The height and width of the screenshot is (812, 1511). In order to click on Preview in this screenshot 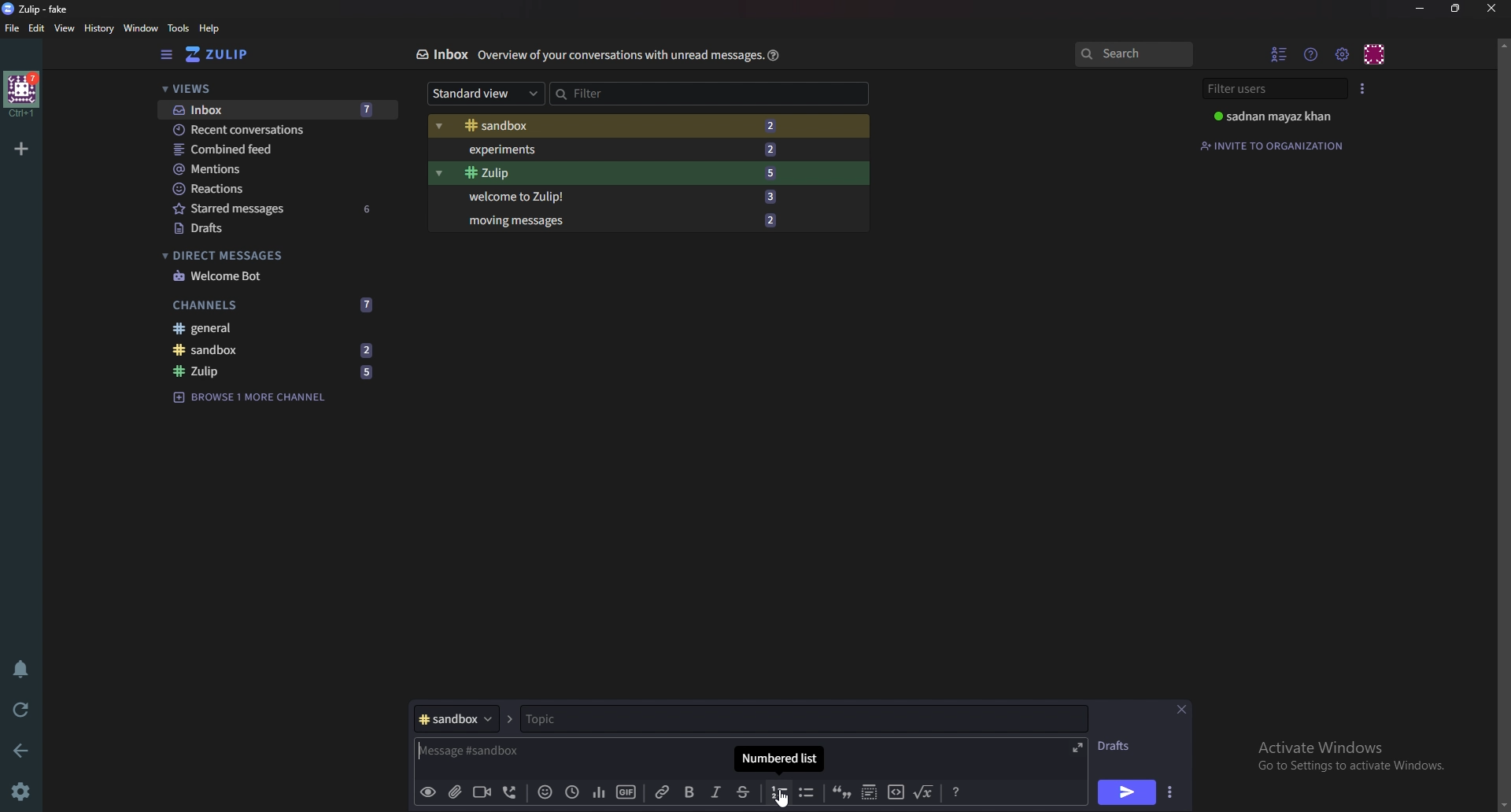, I will do `click(428, 792)`.